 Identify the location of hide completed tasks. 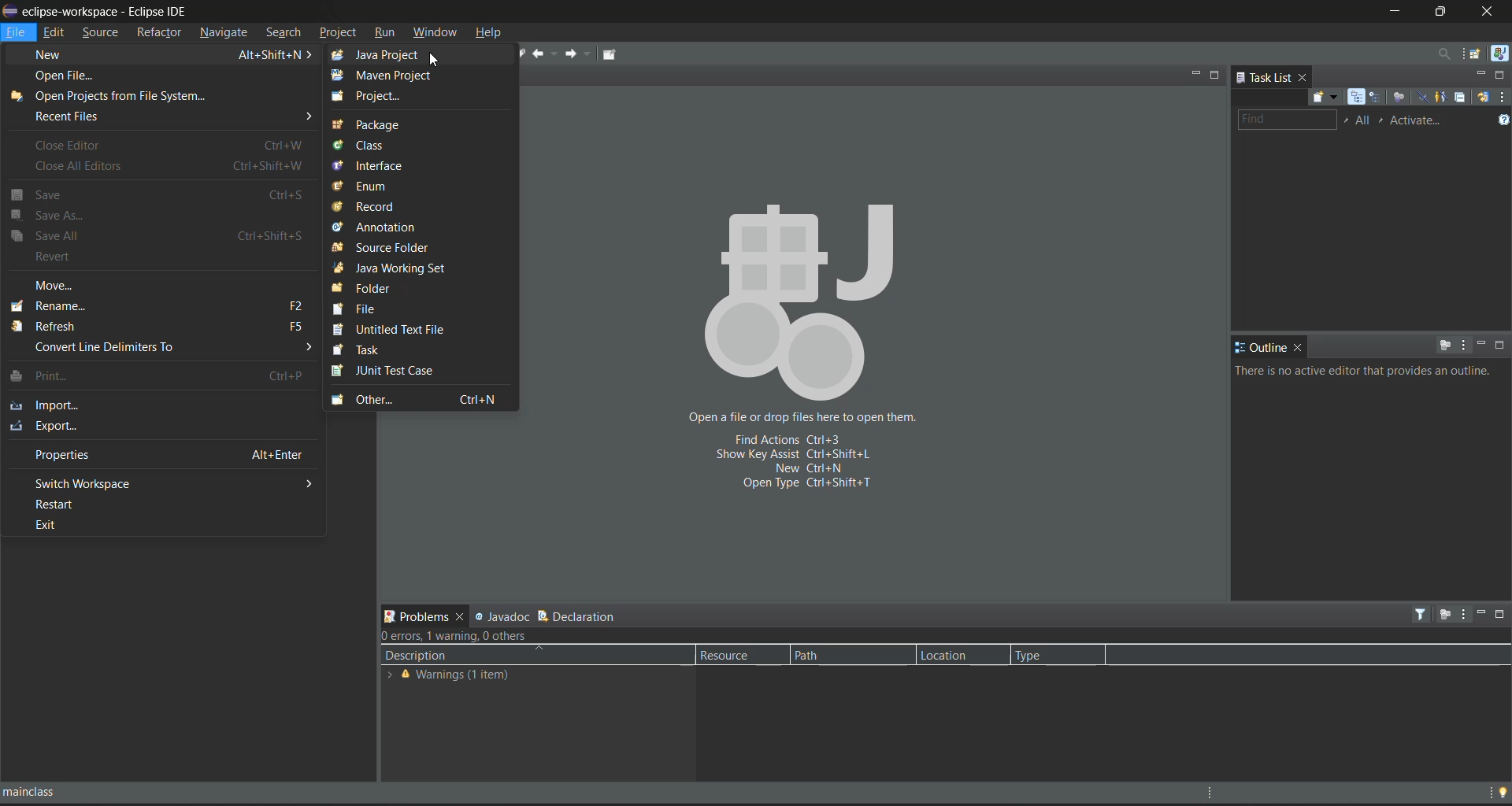
(1421, 96).